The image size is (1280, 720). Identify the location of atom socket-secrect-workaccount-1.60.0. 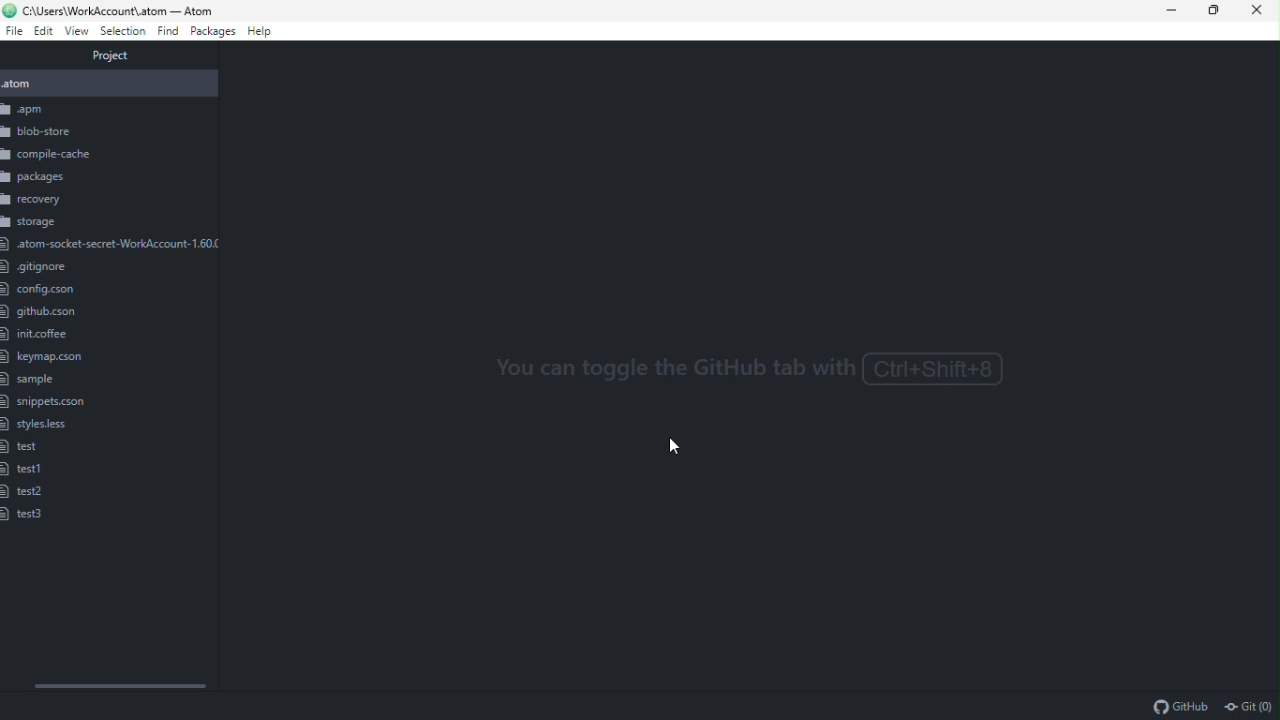
(111, 243).